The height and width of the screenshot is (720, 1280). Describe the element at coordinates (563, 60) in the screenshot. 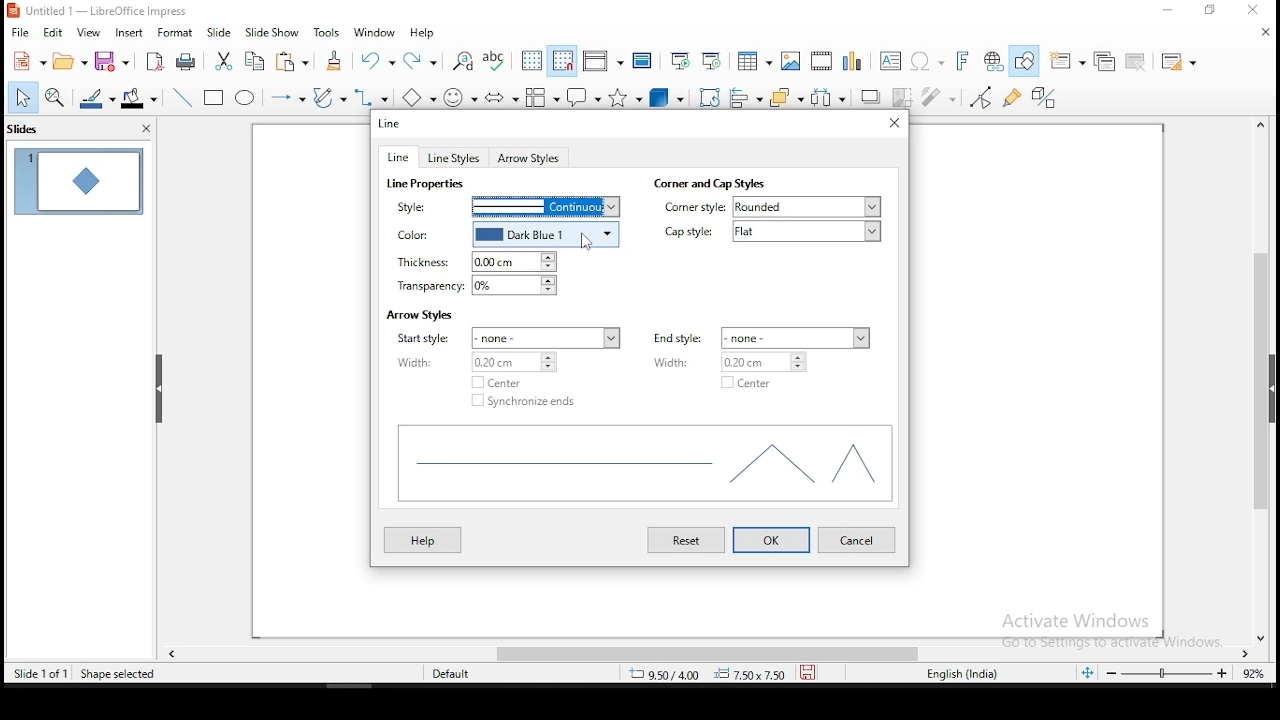

I see `snap to grid` at that location.